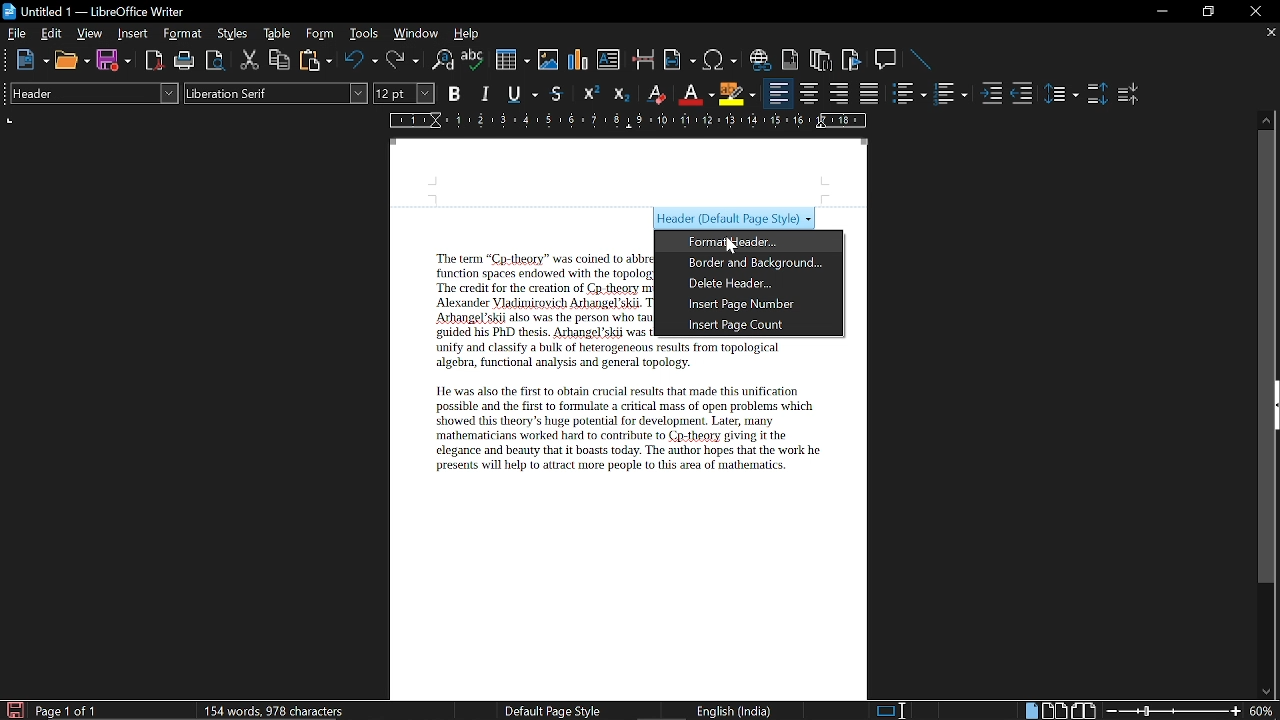 The height and width of the screenshot is (720, 1280). Describe the element at coordinates (695, 94) in the screenshot. I see `Underline` at that location.